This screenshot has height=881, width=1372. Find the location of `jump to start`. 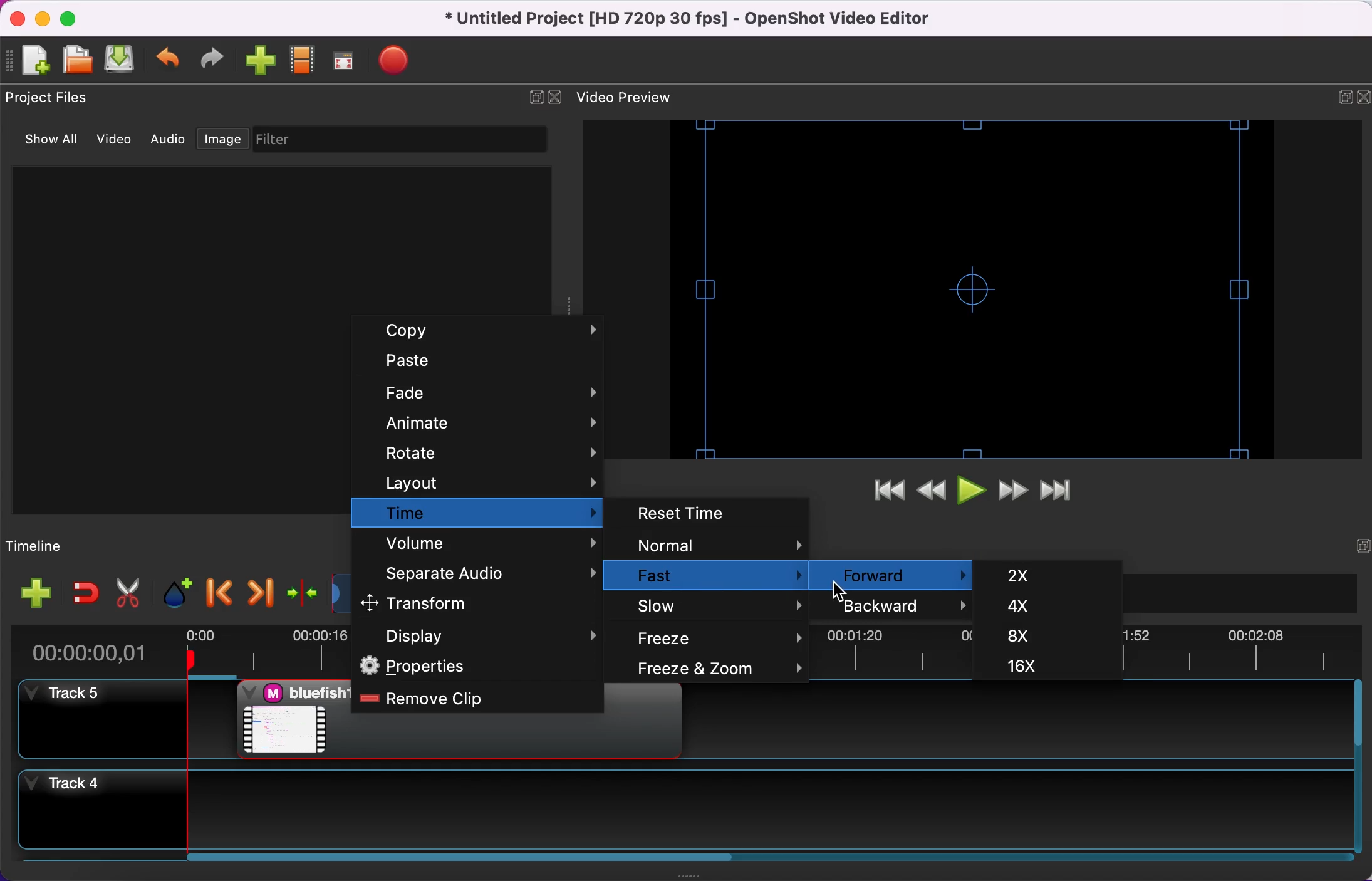

jump to start is located at coordinates (885, 493).